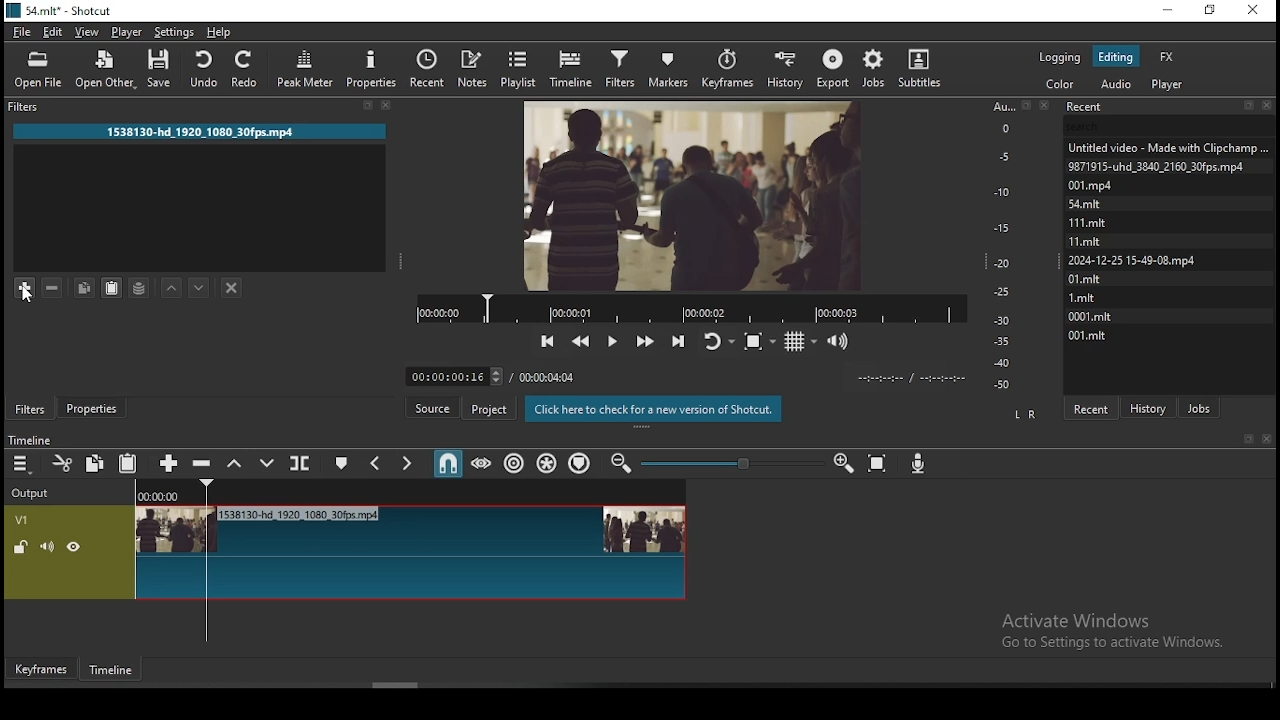 The height and width of the screenshot is (720, 1280). What do you see at coordinates (1091, 296) in the screenshot?
I see `1mit` at bounding box center [1091, 296].